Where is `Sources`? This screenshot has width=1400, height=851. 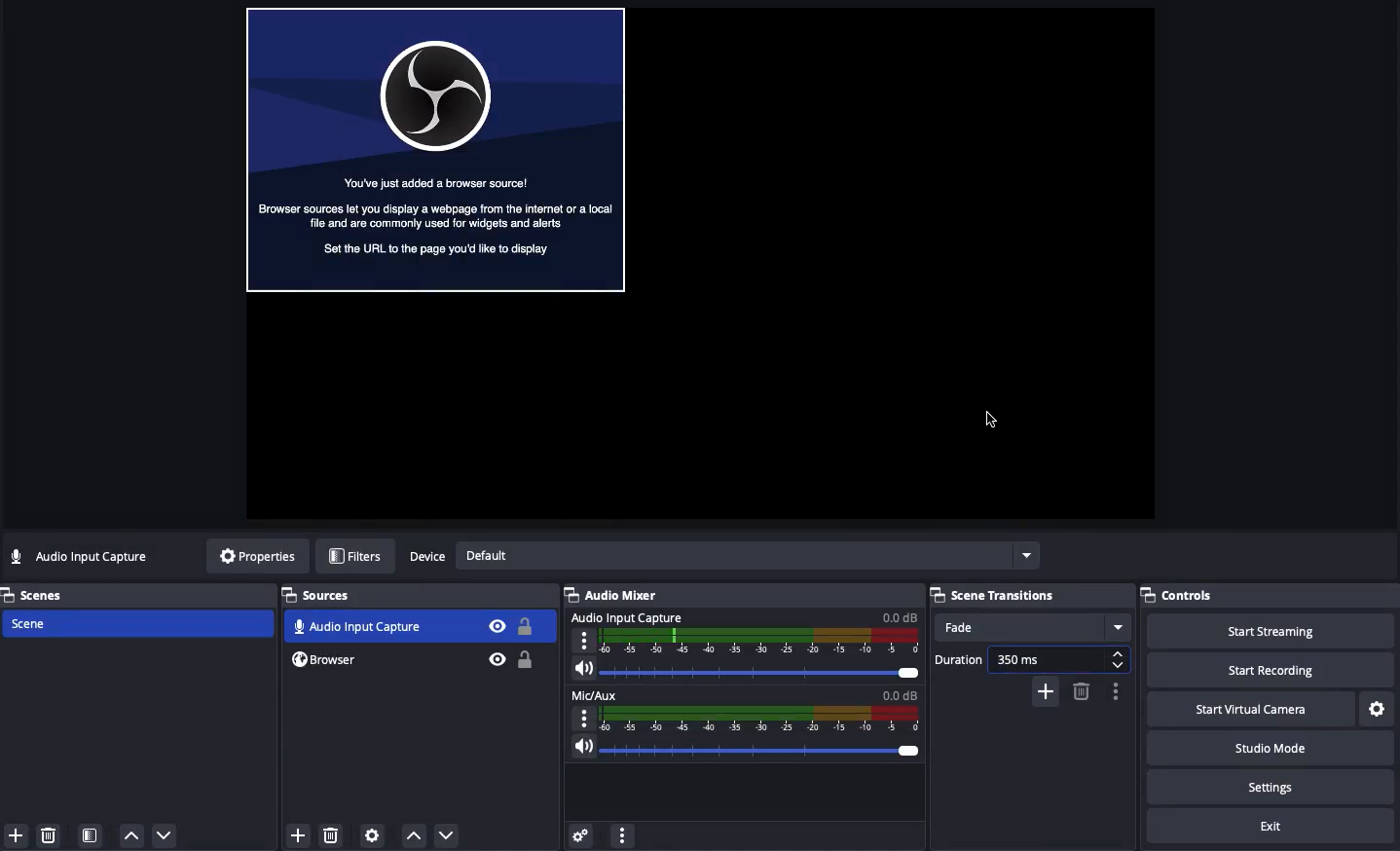 Sources is located at coordinates (313, 597).